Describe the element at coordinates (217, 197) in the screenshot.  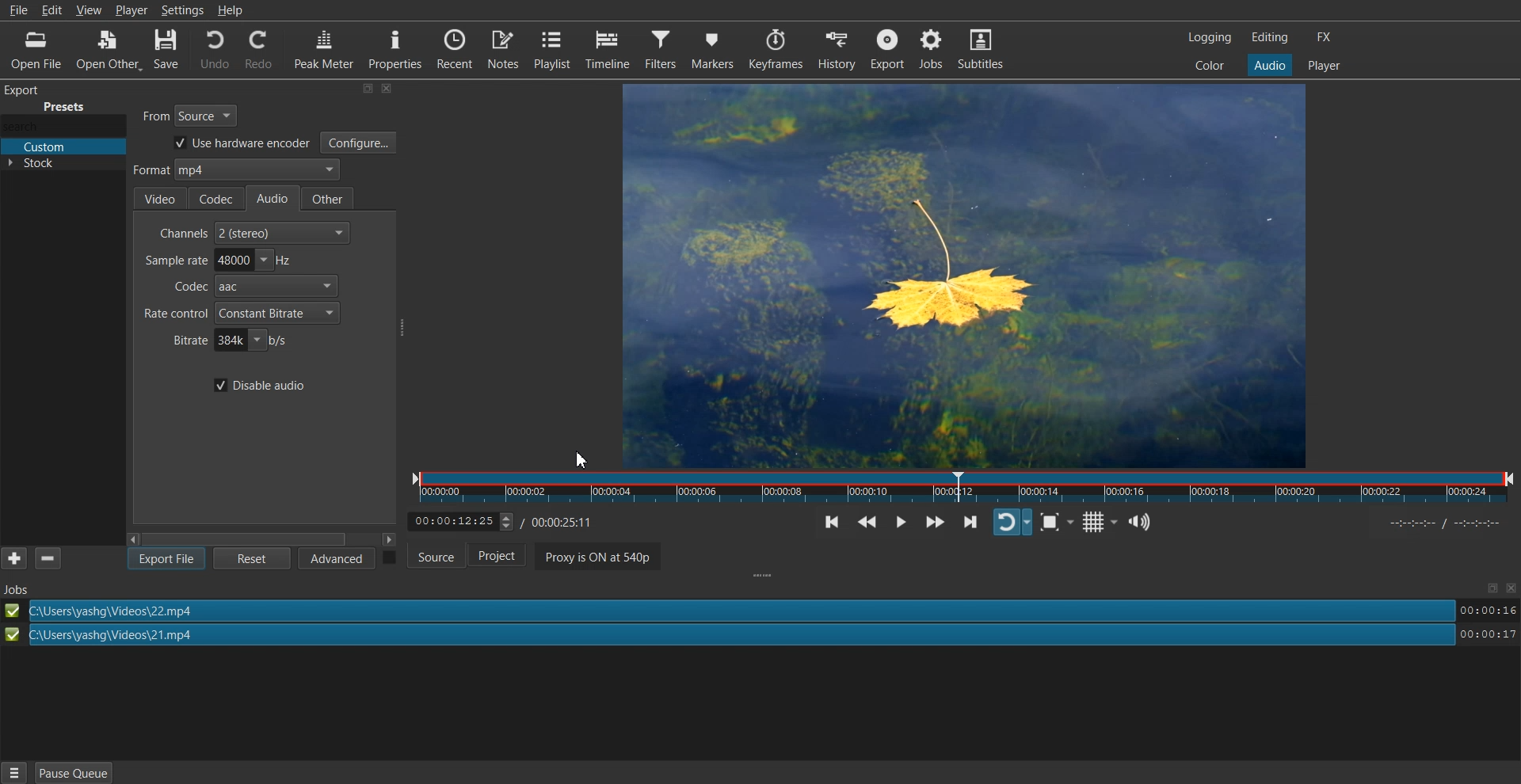
I see `Codec` at that location.